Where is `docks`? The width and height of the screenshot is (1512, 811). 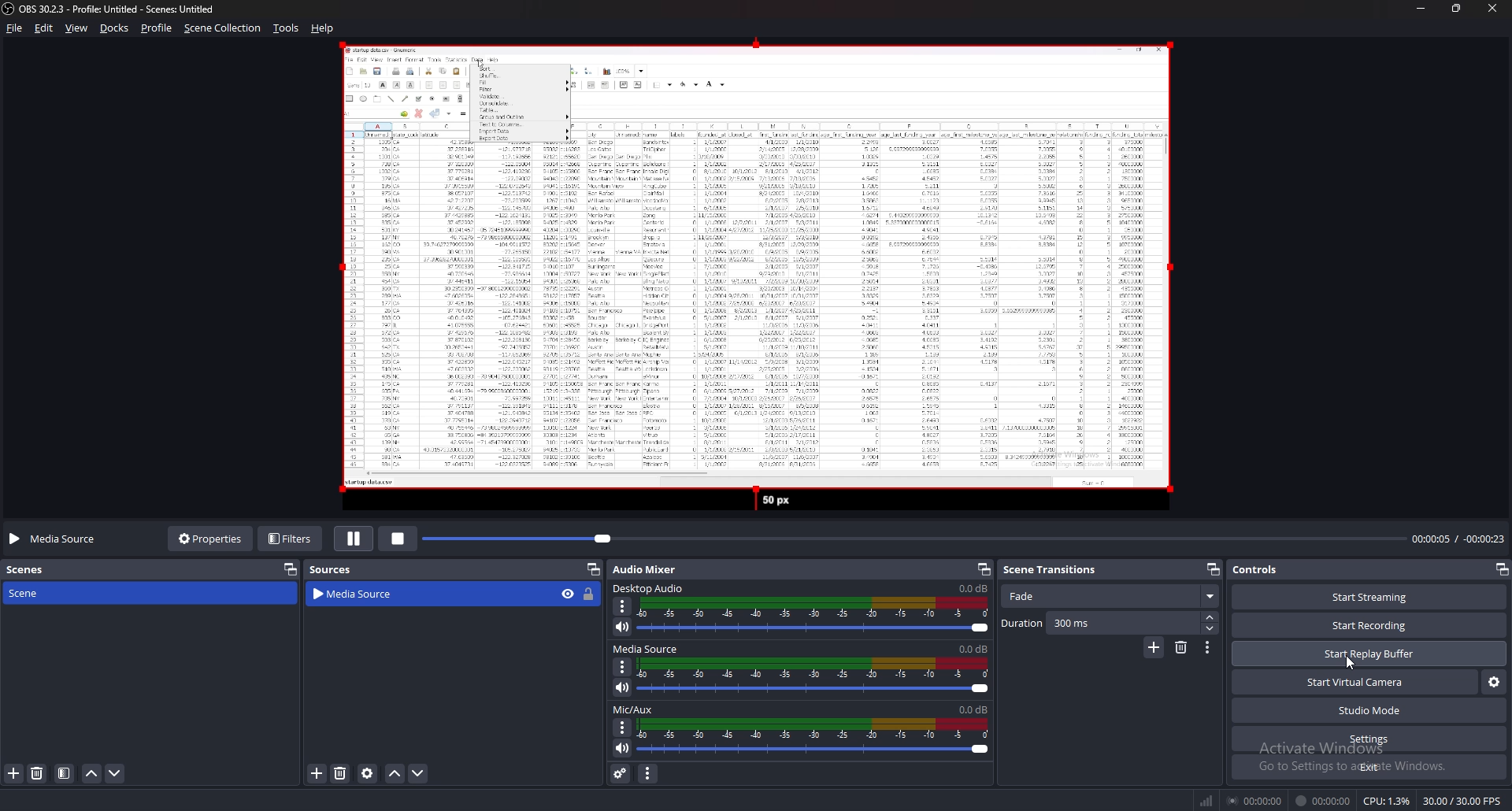 docks is located at coordinates (115, 28).